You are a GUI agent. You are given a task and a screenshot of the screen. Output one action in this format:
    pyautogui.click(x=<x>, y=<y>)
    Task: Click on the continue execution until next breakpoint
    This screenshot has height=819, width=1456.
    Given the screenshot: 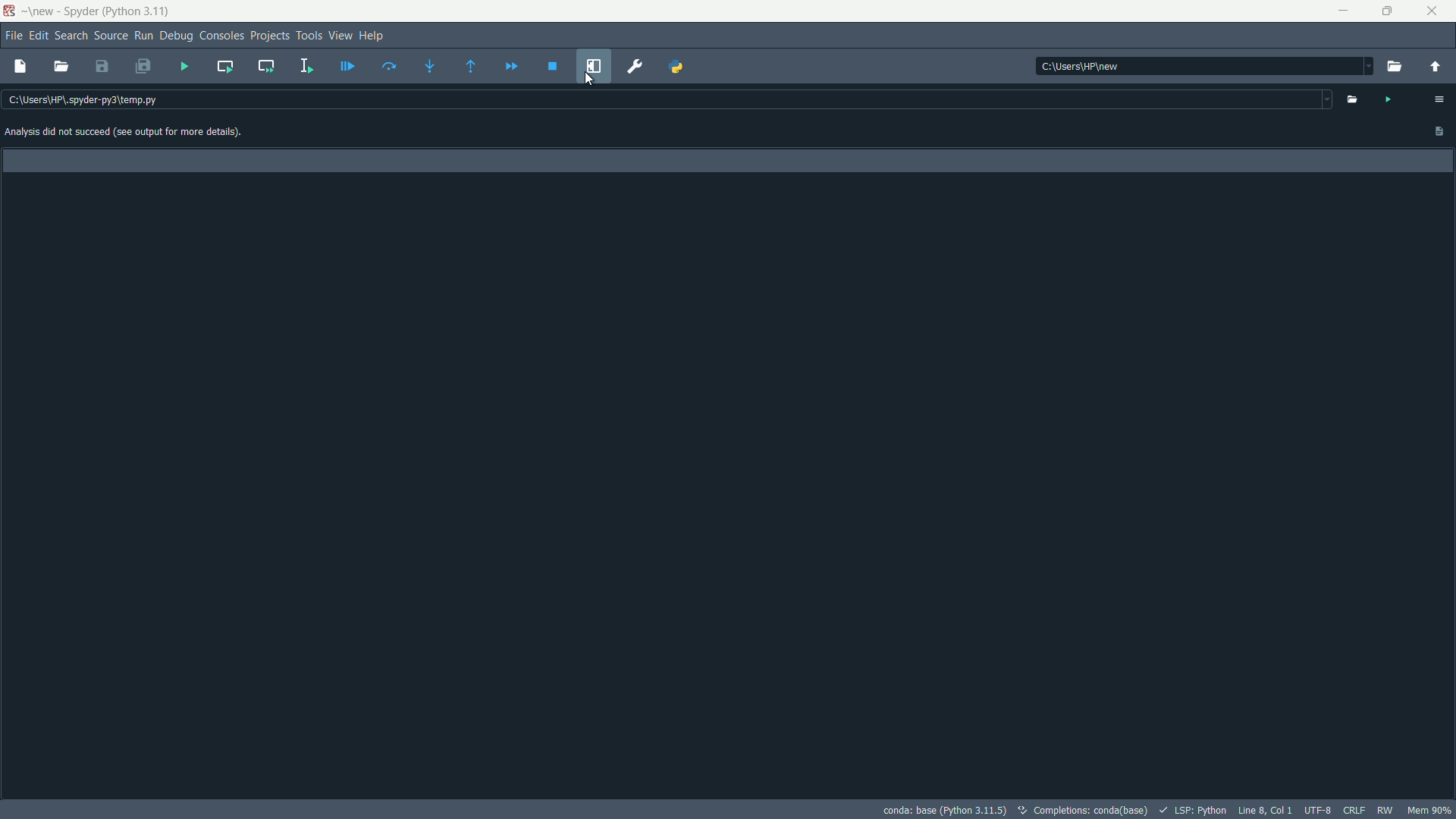 What is the action you would take?
    pyautogui.click(x=512, y=67)
    